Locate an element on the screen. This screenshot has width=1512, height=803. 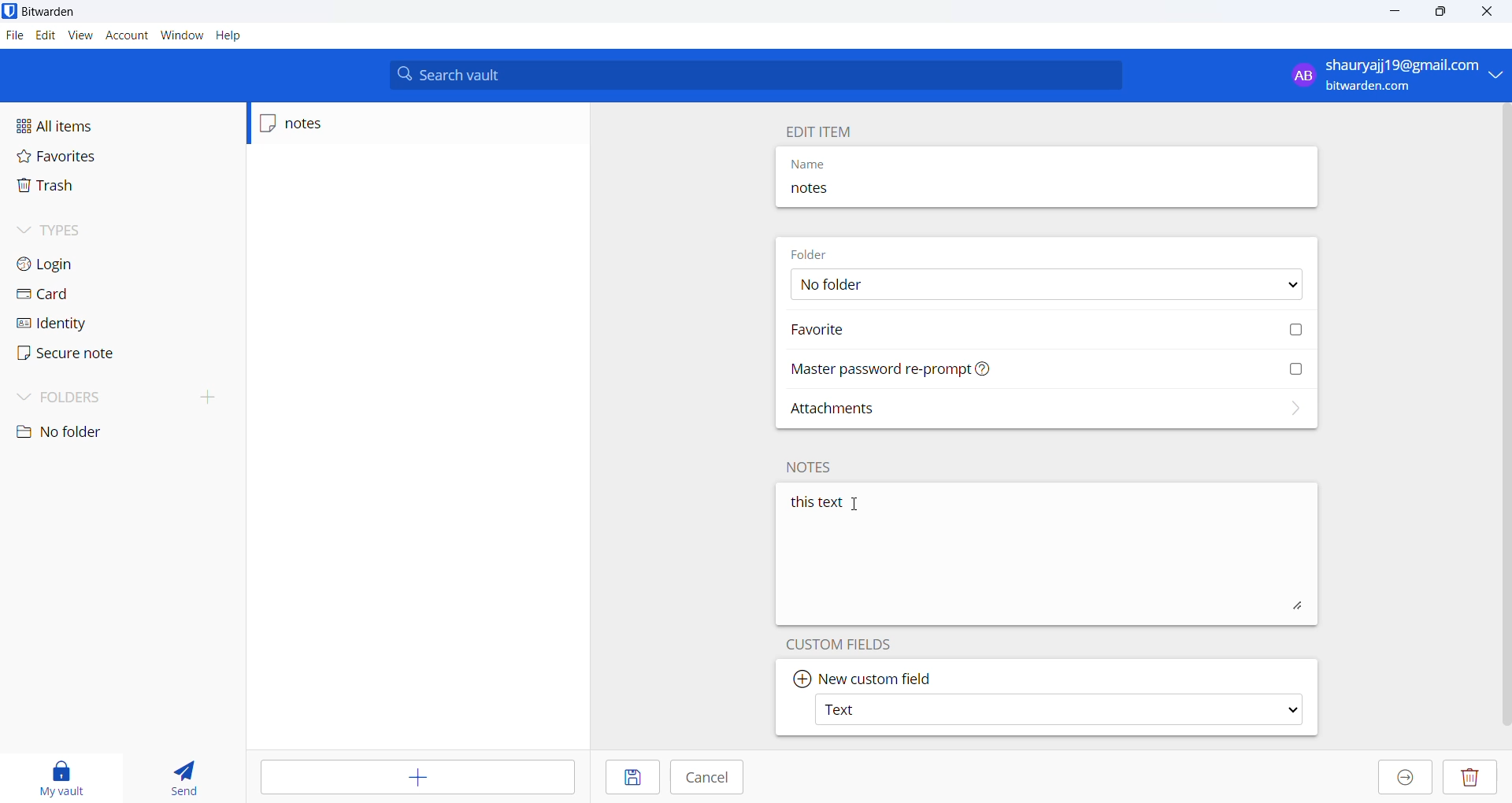
name  is located at coordinates (869, 164).